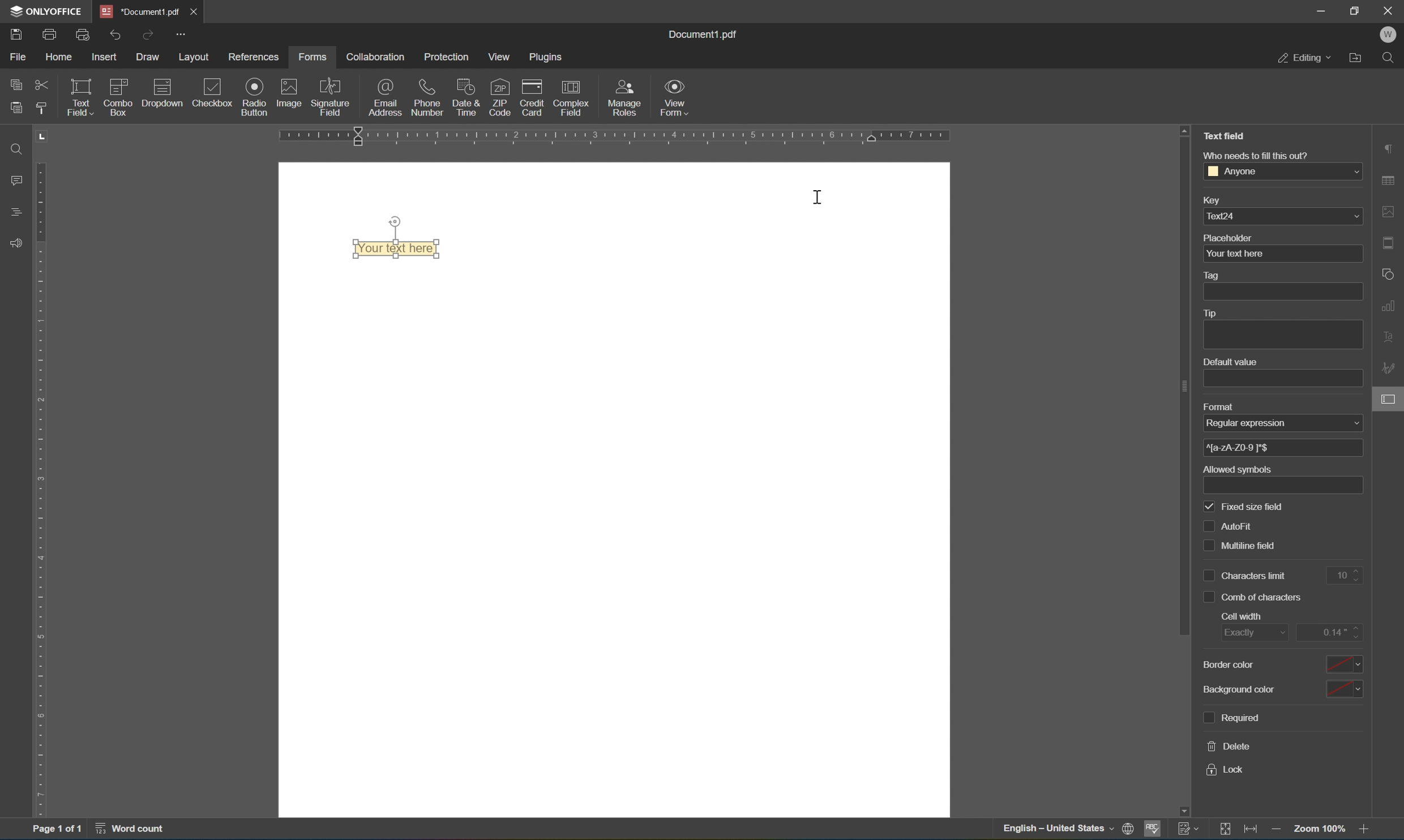 This screenshot has height=840, width=1404. Describe the element at coordinates (1390, 273) in the screenshot. I see `shape settings` at that location.